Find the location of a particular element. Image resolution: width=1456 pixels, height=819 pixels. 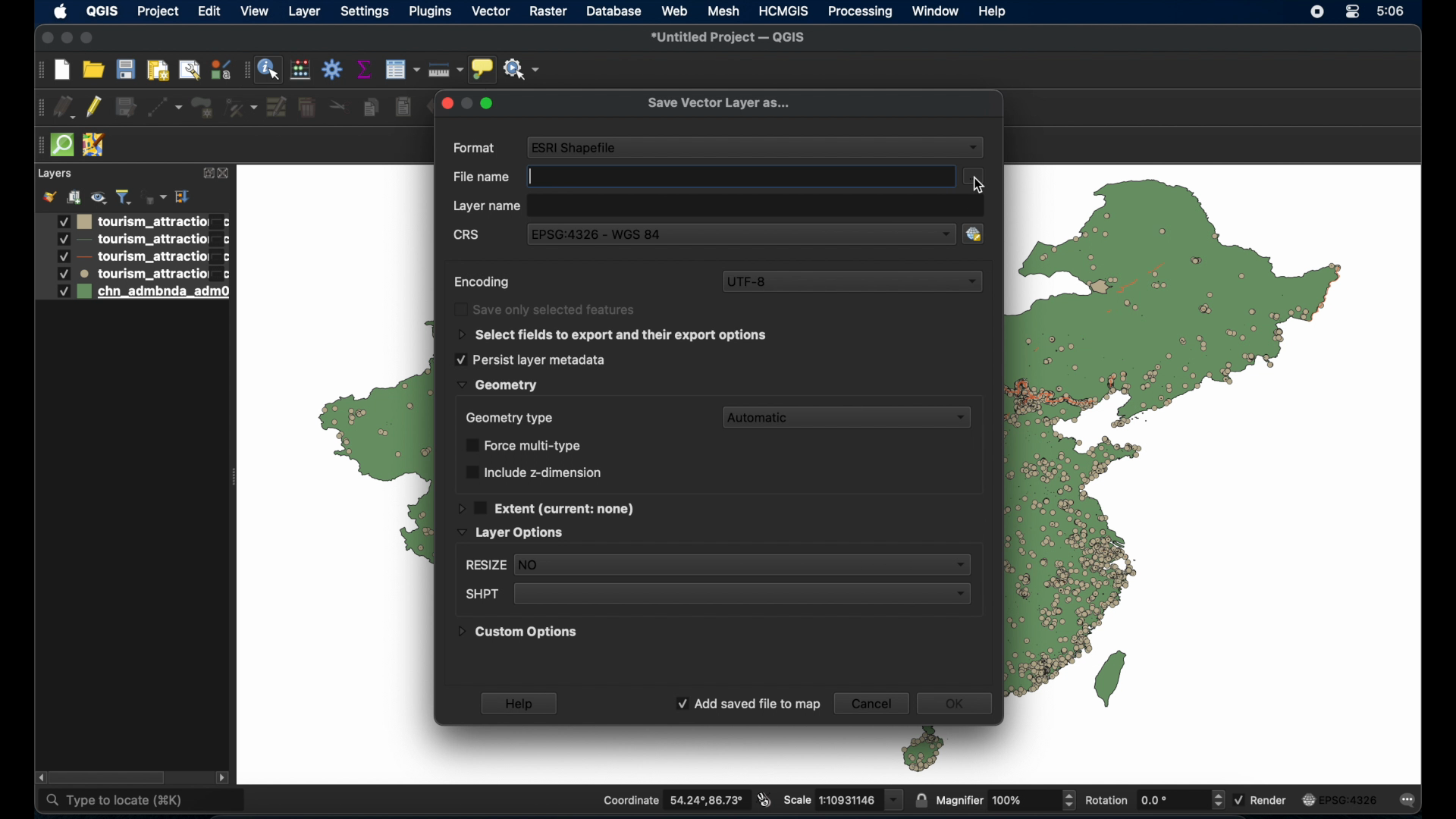

select fields to export options is located at coordinates (613, 335).